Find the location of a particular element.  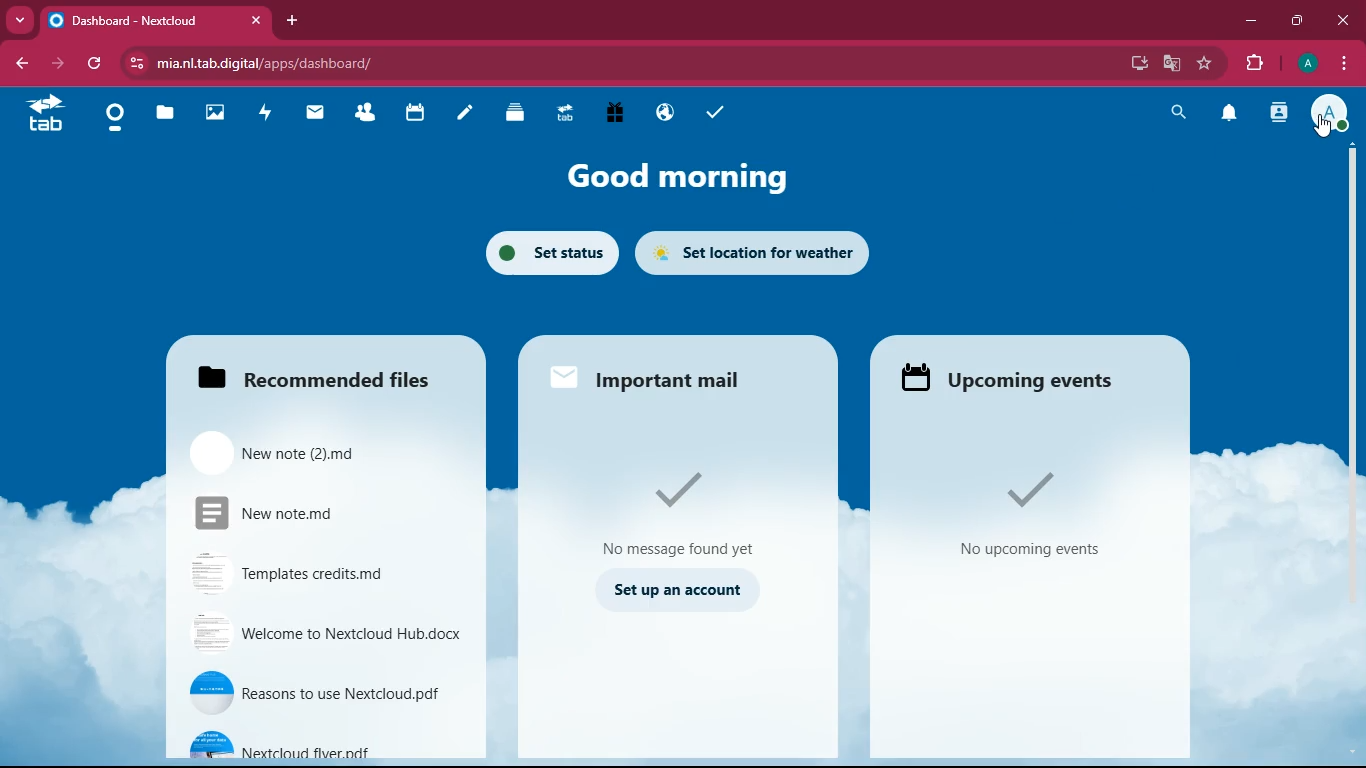

files is located at coordinates (171, 115).